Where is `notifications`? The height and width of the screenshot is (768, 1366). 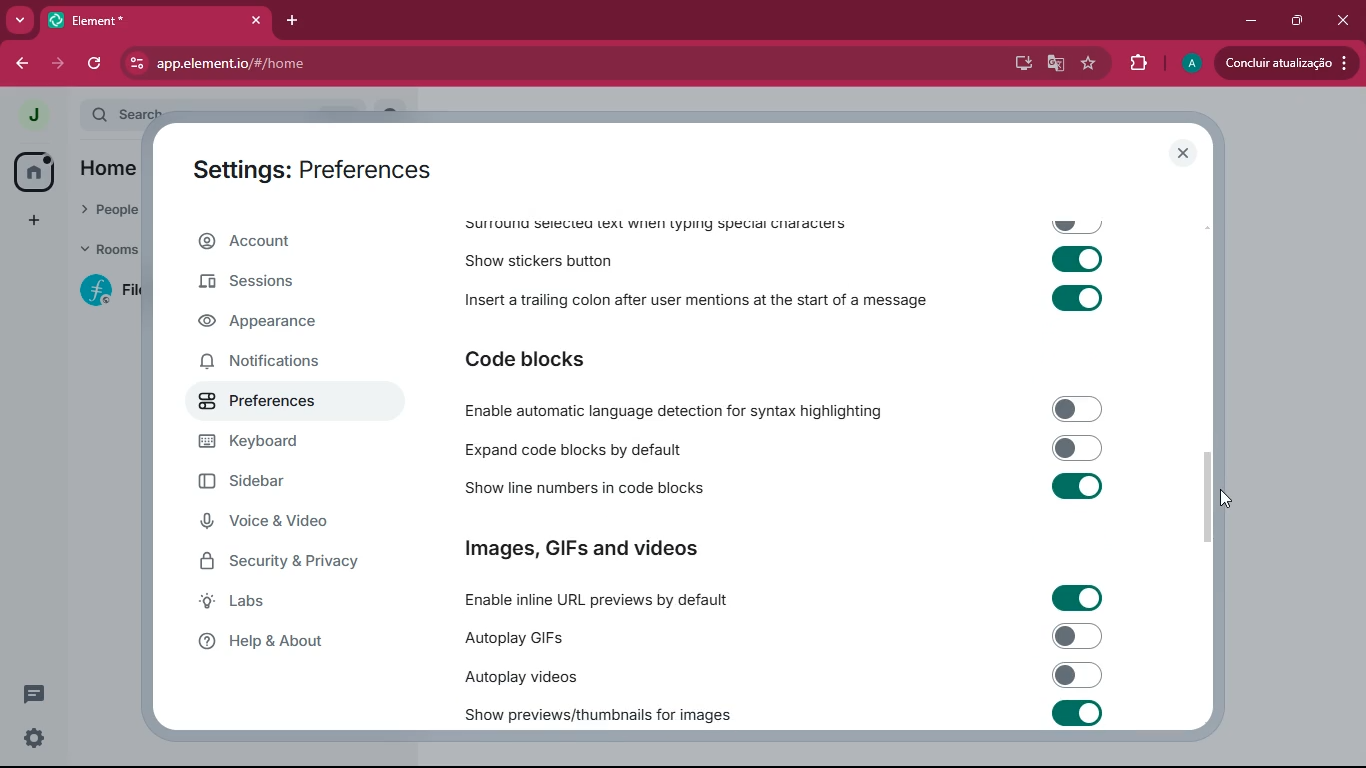
notifications is located at coordinates (275, 365).